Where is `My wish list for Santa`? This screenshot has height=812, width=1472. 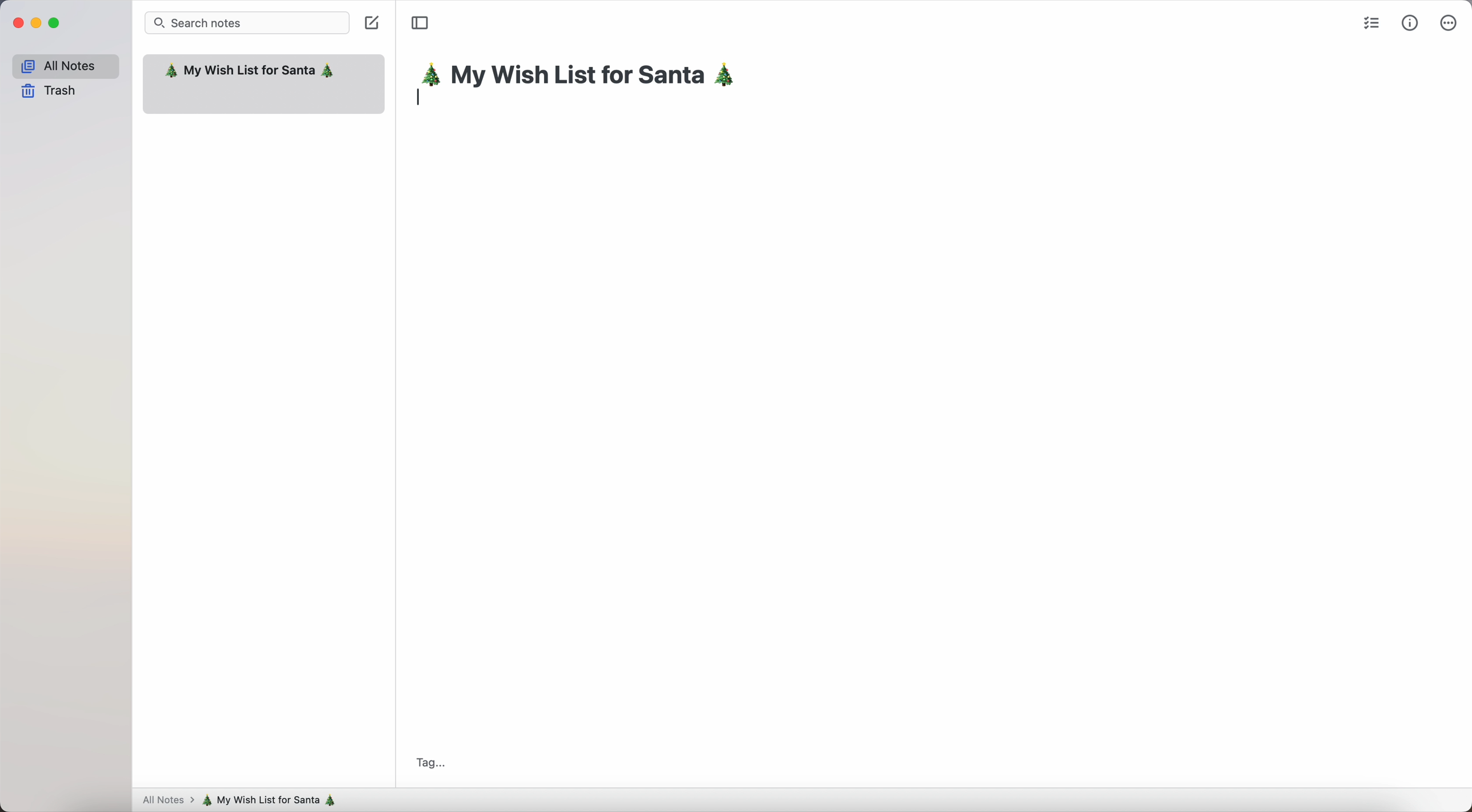
My wish list for Santa is located at coordinates (250, 72).